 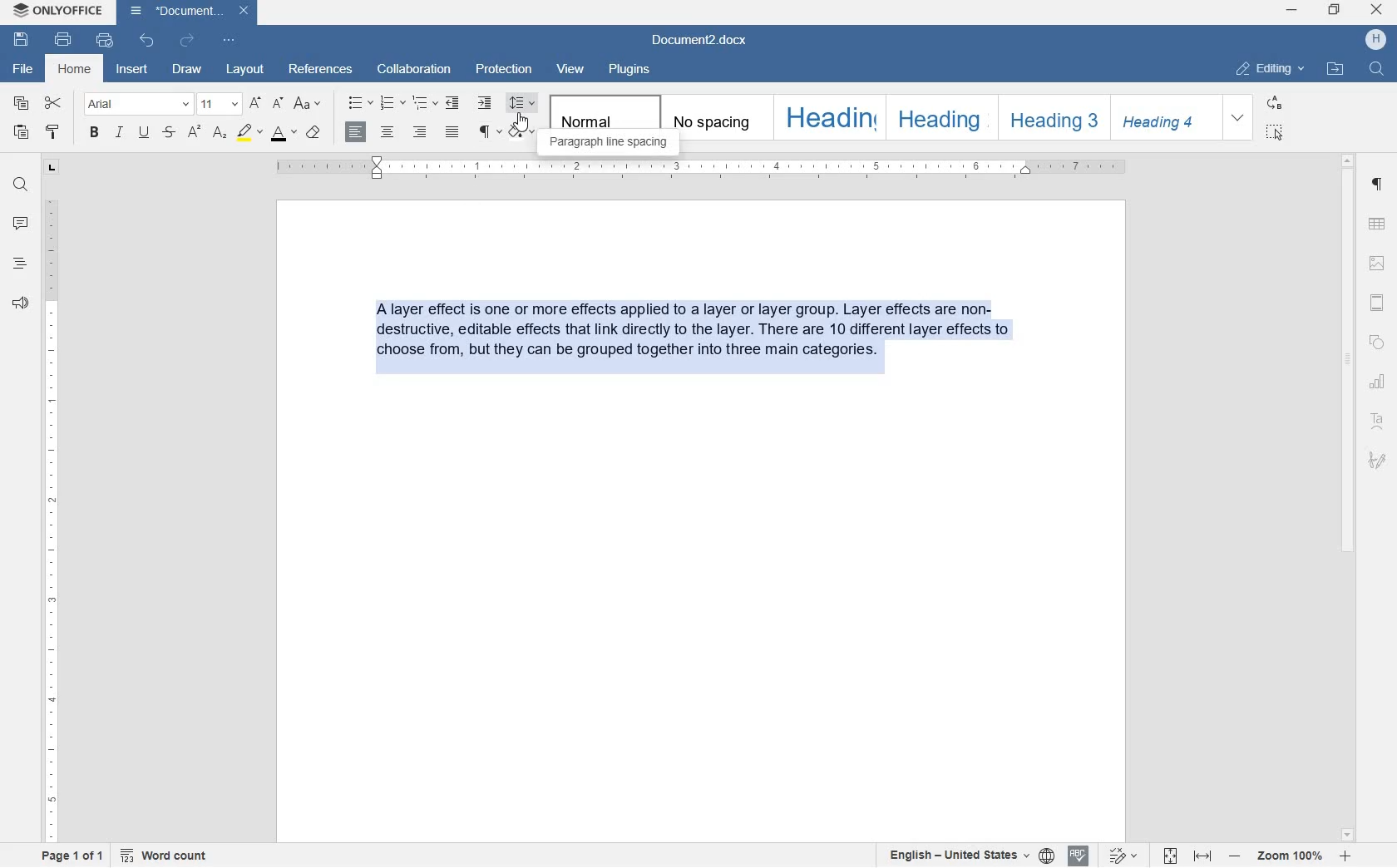 I want to click on spell checking, so click(x=1078, y=856).